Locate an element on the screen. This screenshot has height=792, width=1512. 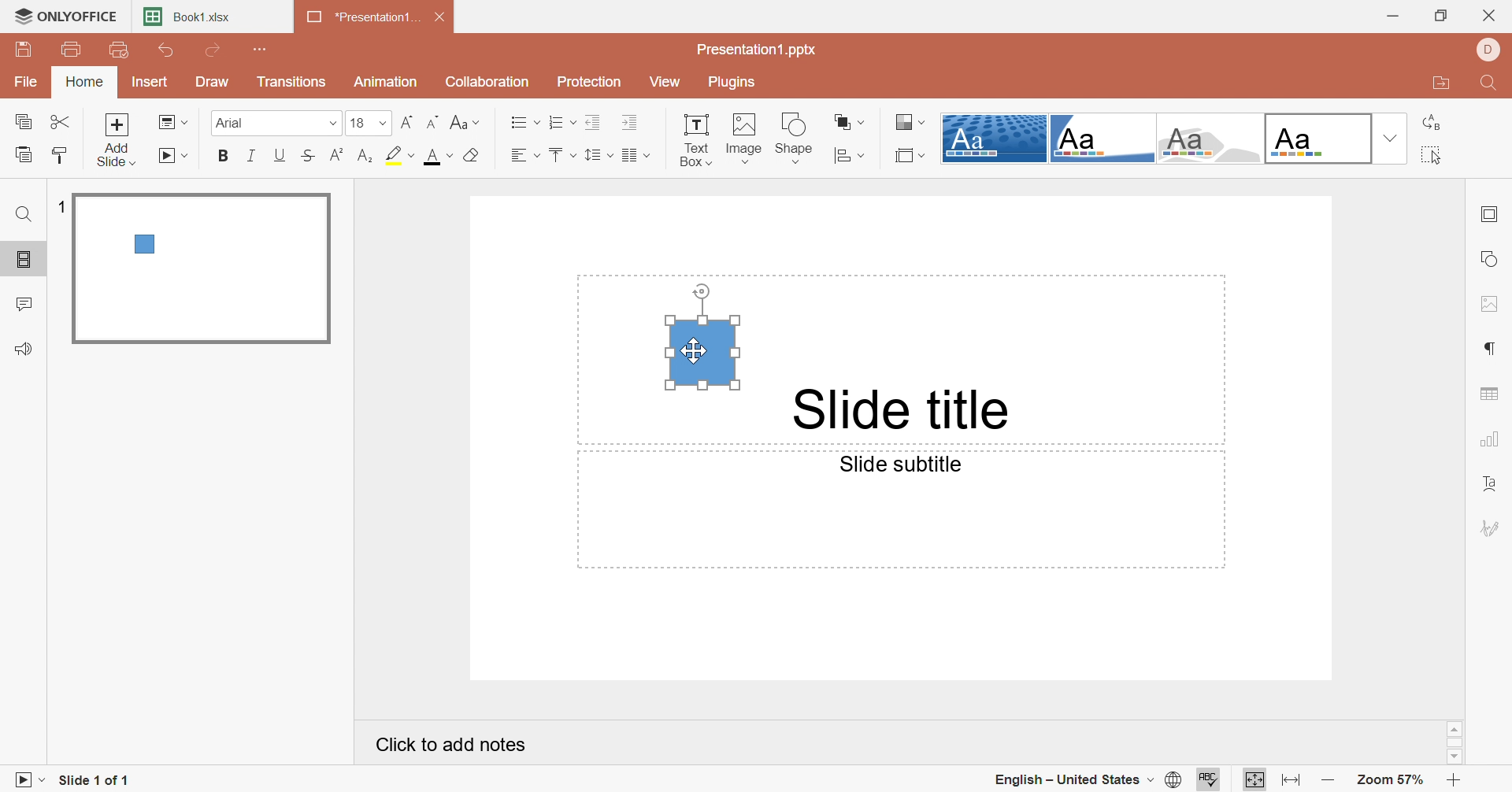
Superscript is located at coordinates (336, 156).